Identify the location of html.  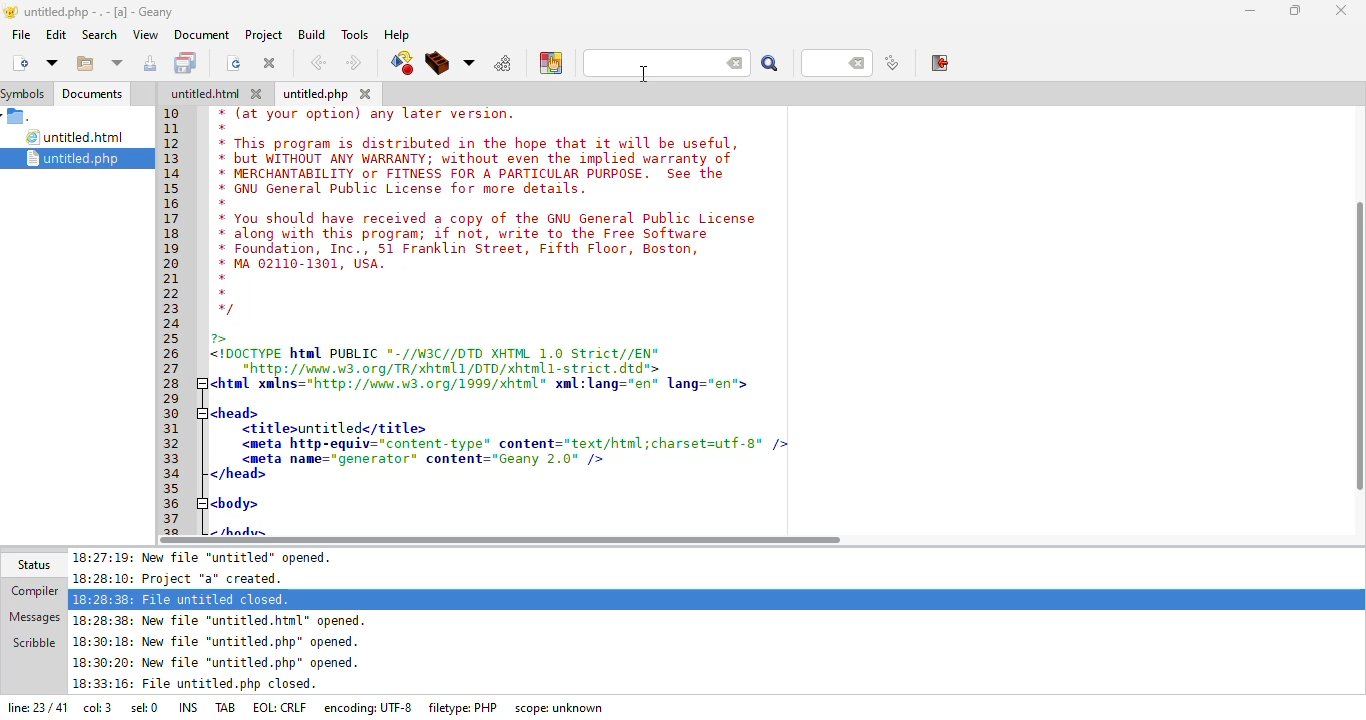
(205, 94).